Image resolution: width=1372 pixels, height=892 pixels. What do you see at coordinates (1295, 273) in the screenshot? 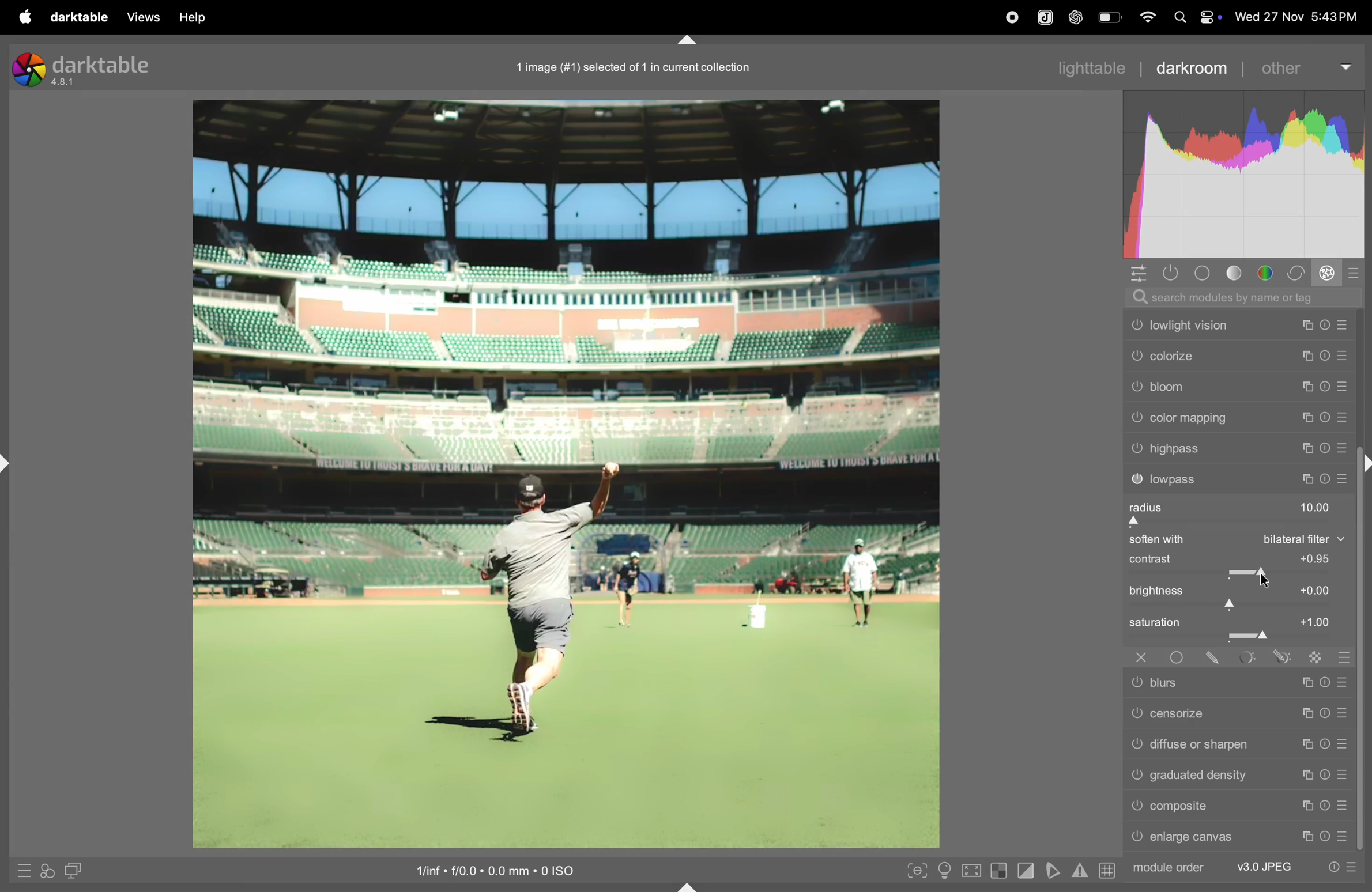
I see `correct` at bounding box center [1295, 273].